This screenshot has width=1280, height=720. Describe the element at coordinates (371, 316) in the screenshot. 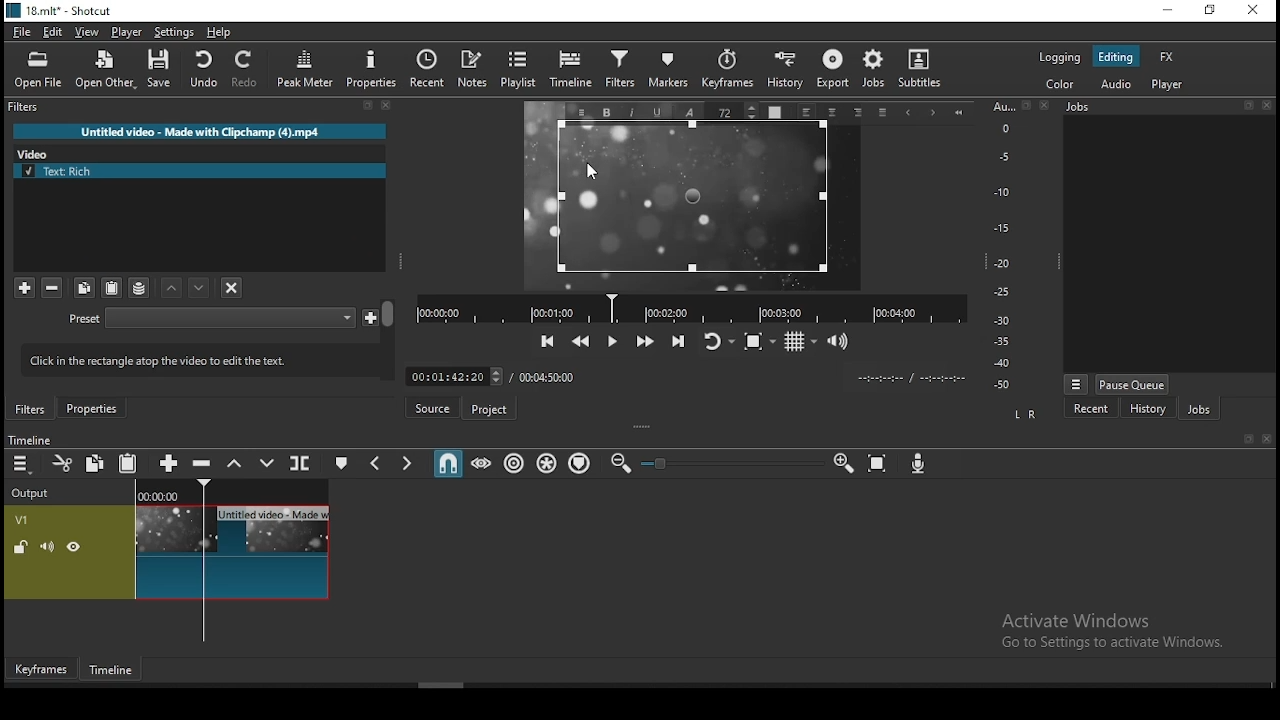

I see `Save custom preset` at that location.